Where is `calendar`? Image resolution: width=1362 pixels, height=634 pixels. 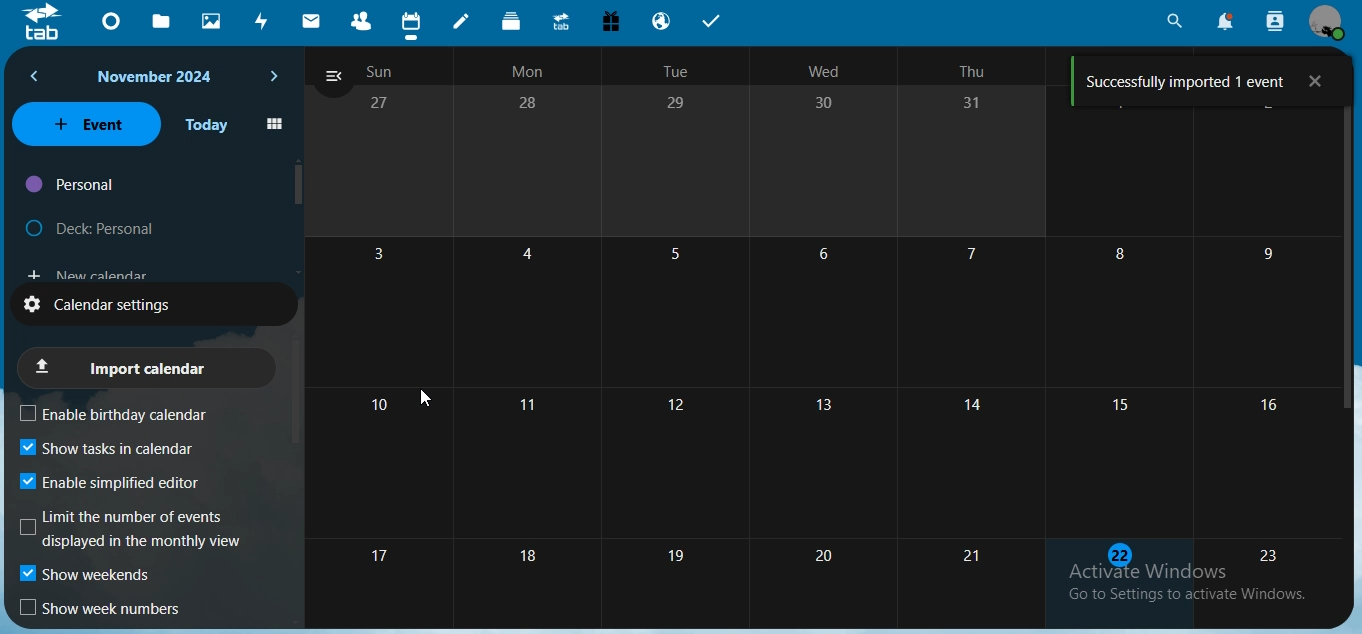
calendar is located at coordinates (411, 22).